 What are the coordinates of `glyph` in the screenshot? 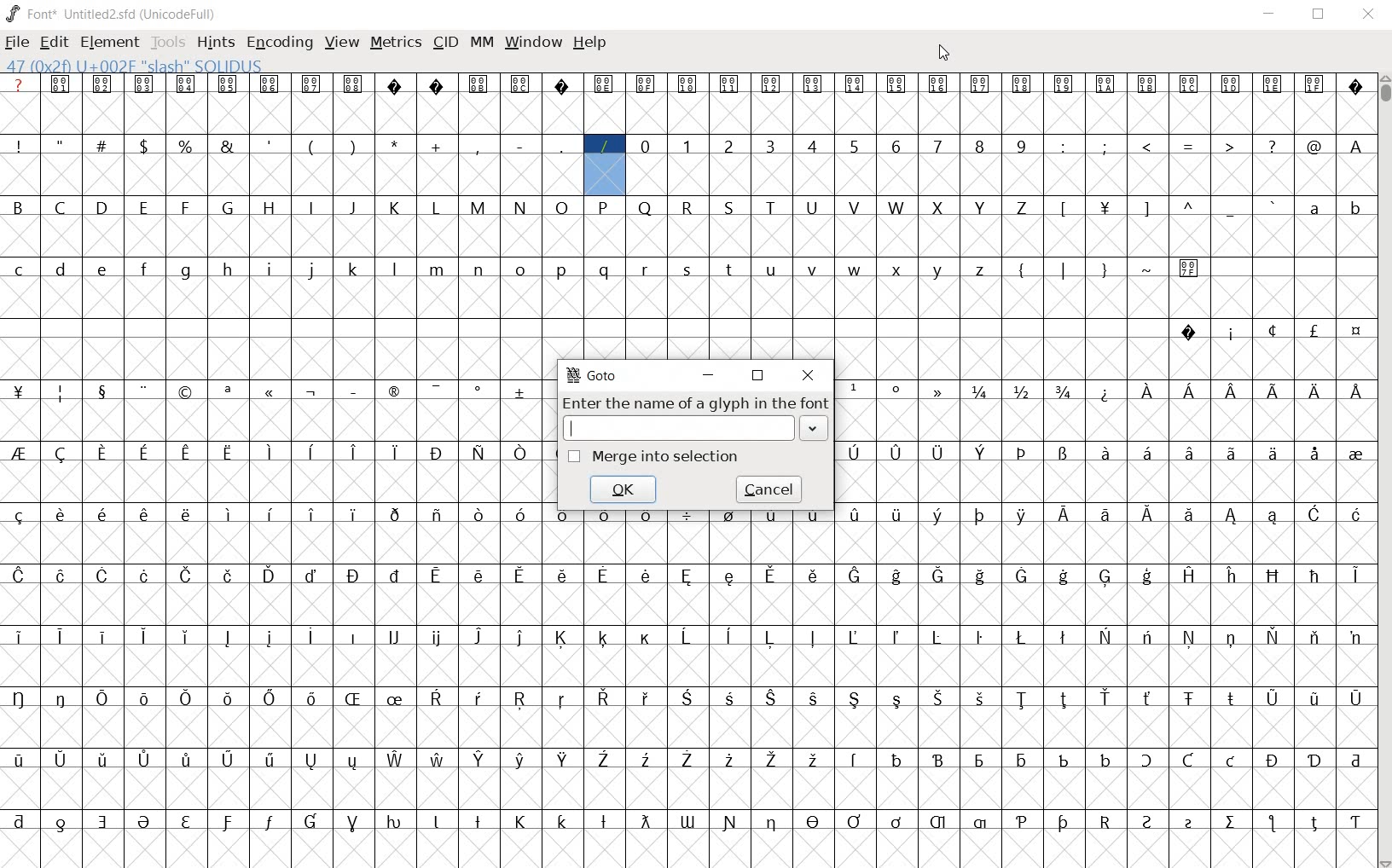 It's located at (1064, 513).